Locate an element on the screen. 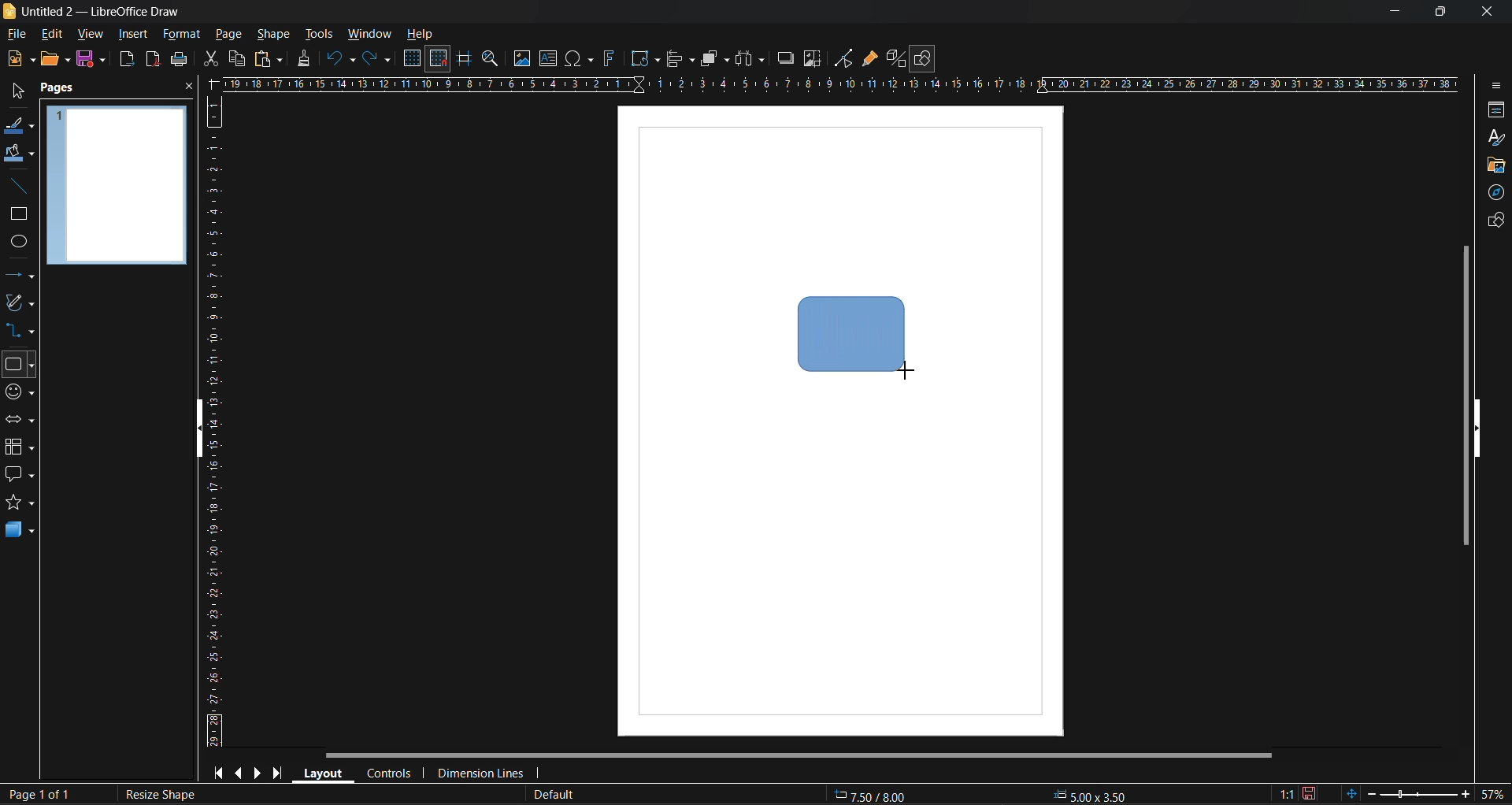 Image resolution: width=1512 pixels, height=805 pixels. properties is located at coordinates (1492, 111).